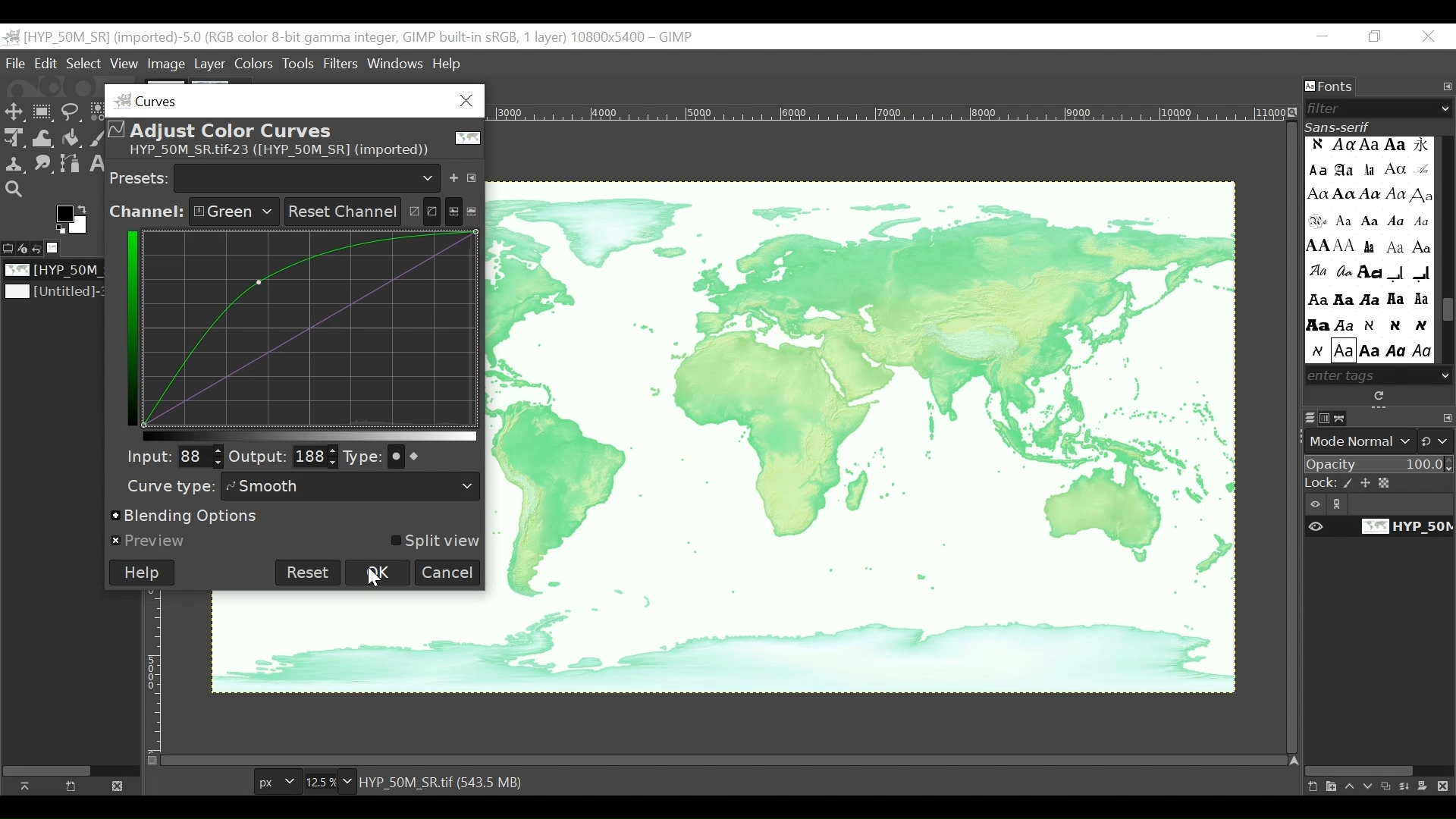 This screenshot has width=1456, height=819. I want to click on Filters, so click(343, 63).